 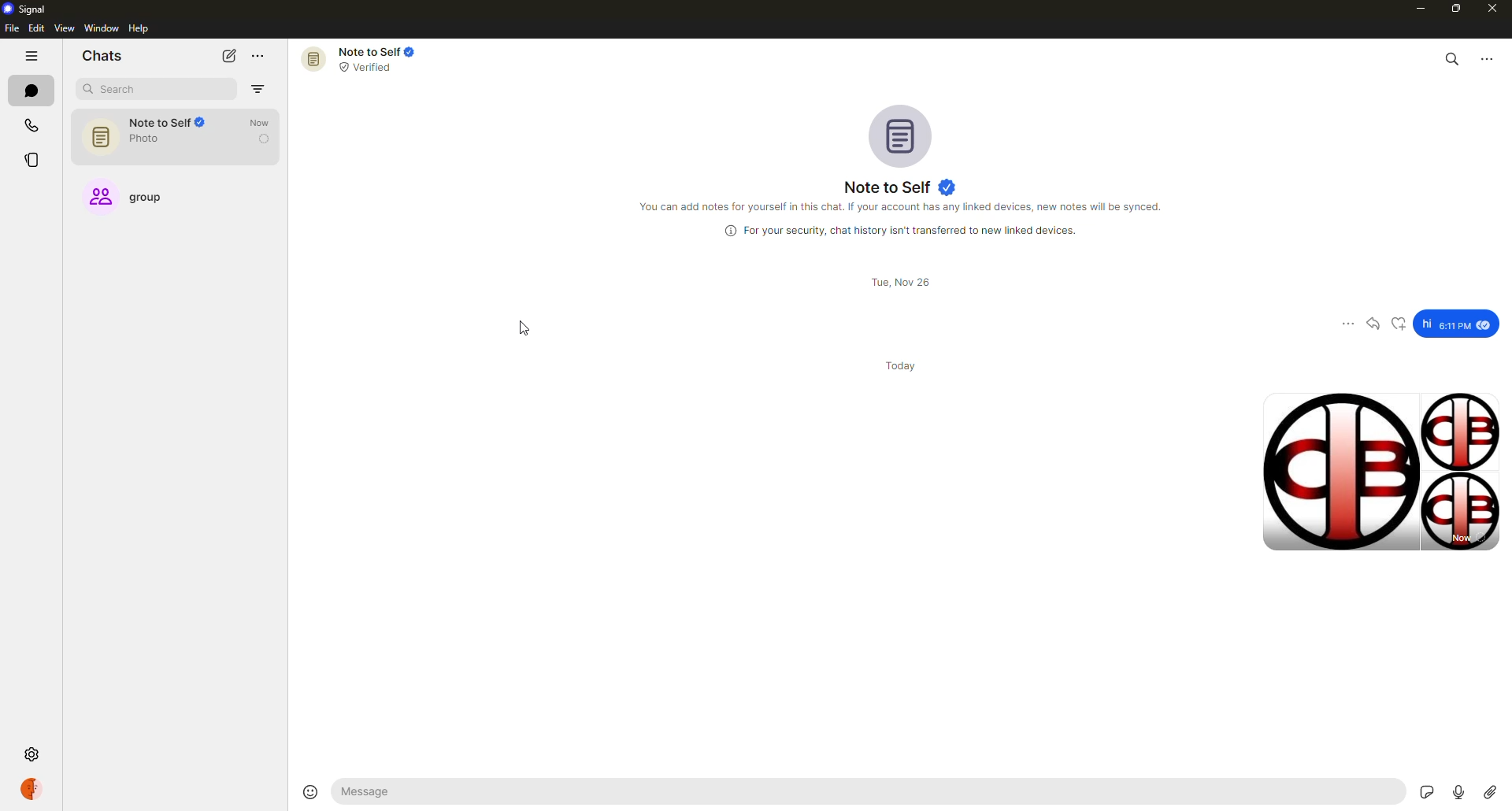 What do you see at coordinates (107, 54) in the screenshot?
I see `chats` at bounding box center [107, 54].